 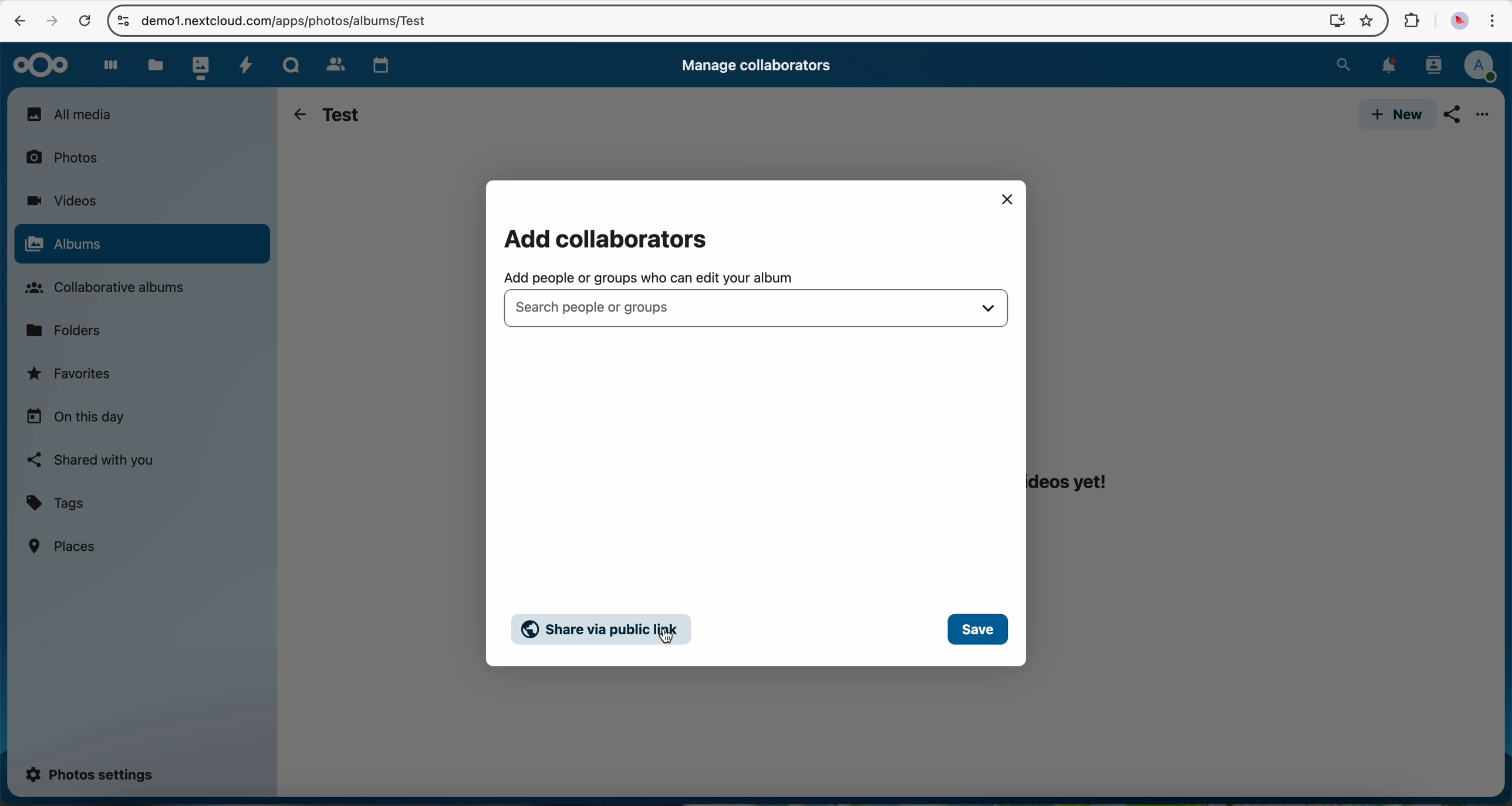 What do you see at coordinates (279, 21) in the screenshot?
I see `url` at bounding box center [279, 21].